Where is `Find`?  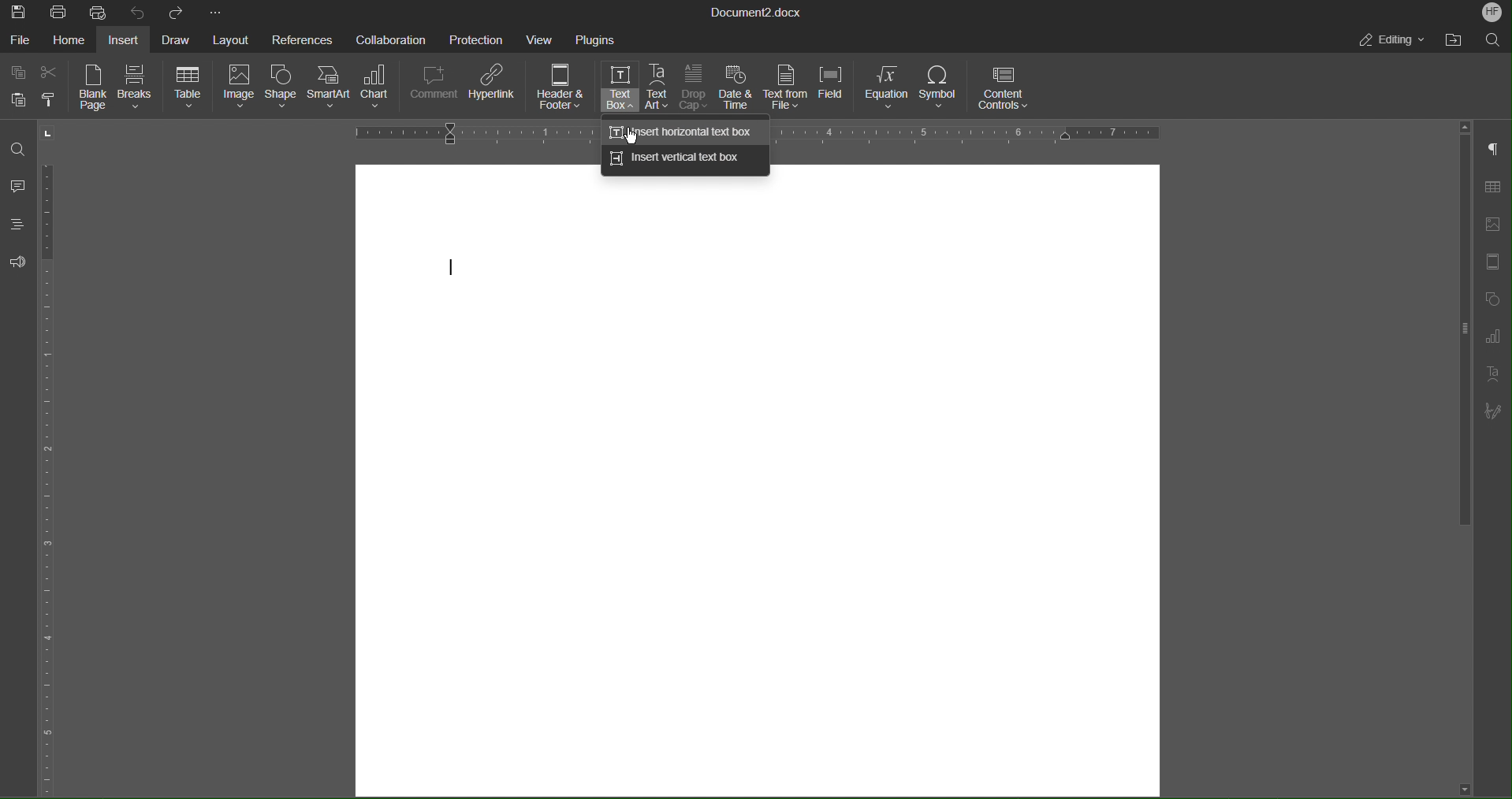 Find is located at coordinates (20, 150).